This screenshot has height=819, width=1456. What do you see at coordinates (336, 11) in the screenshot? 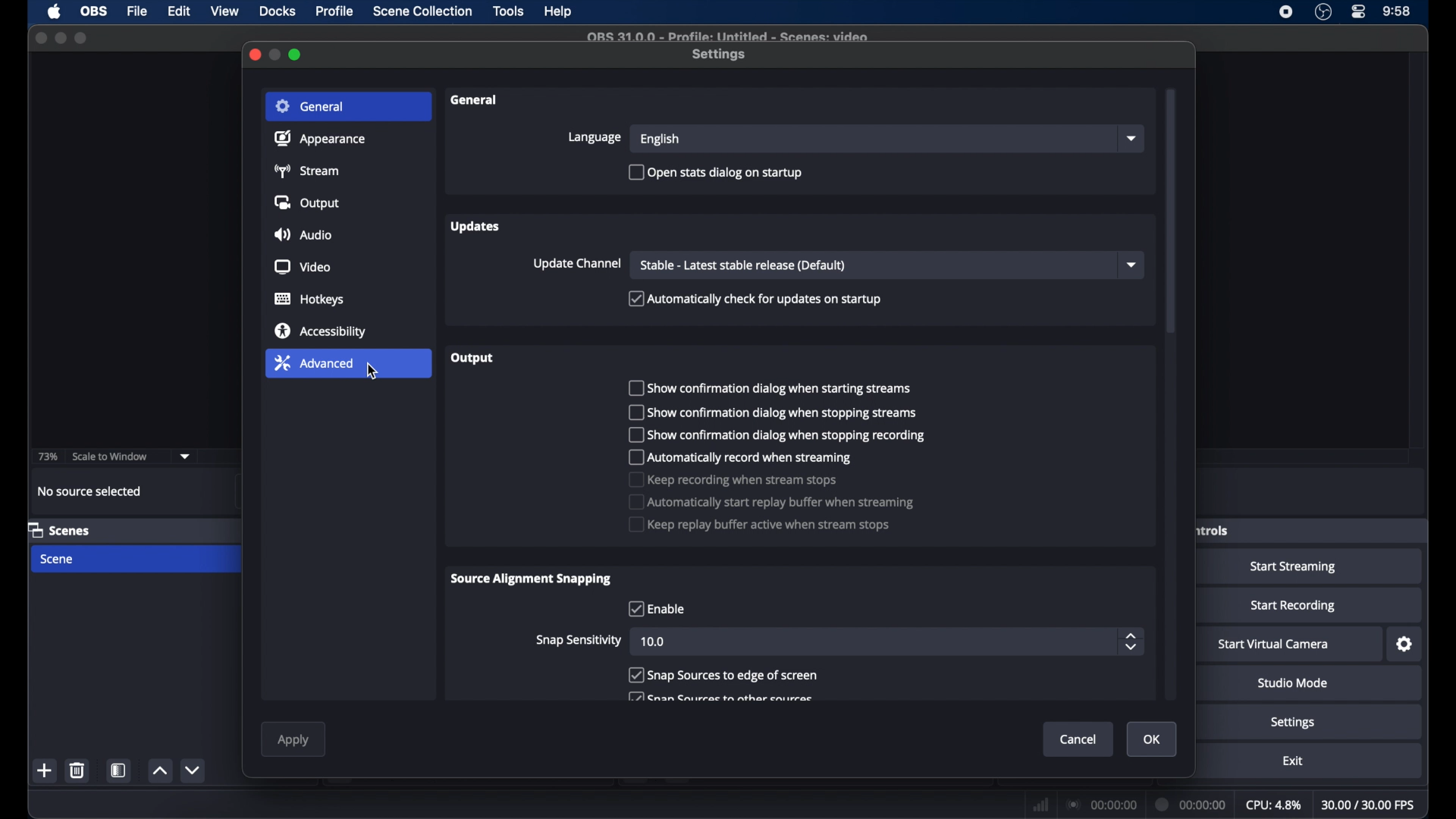
I see `profile` at bounding box center [336, 11].